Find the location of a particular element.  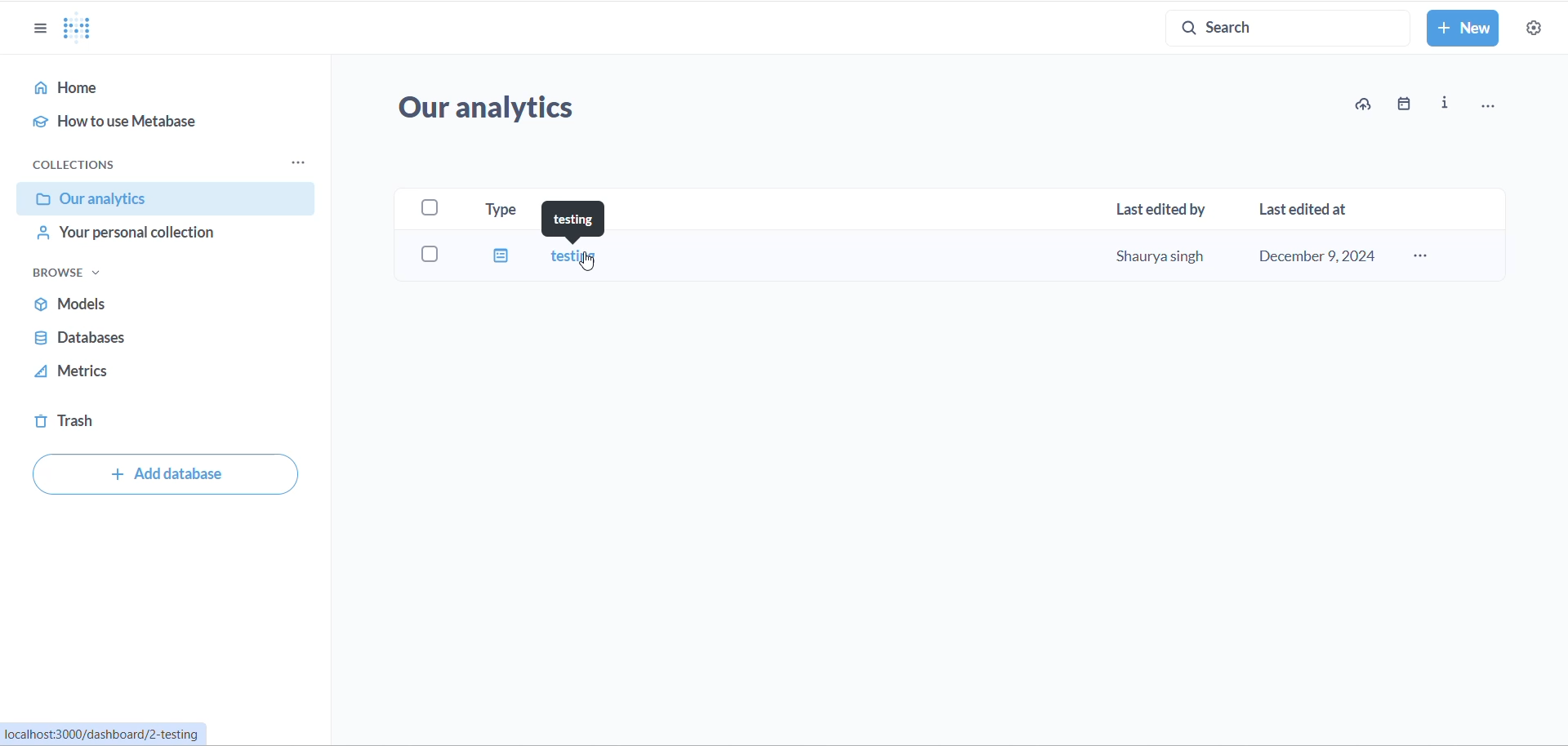

type is located at coordinates (504, 210).